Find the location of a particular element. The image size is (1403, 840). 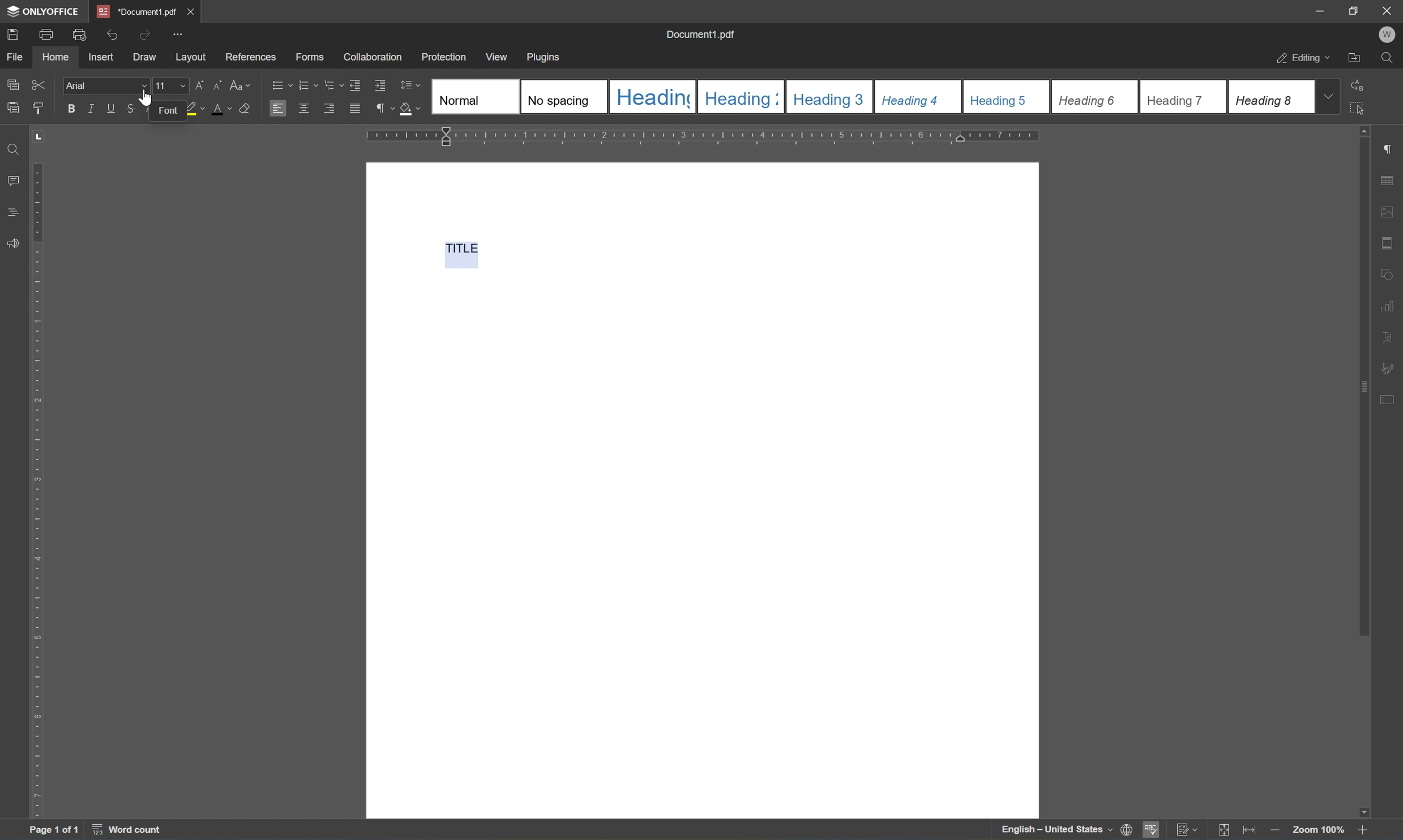

signature settings is located at coordinates (1388, 368).